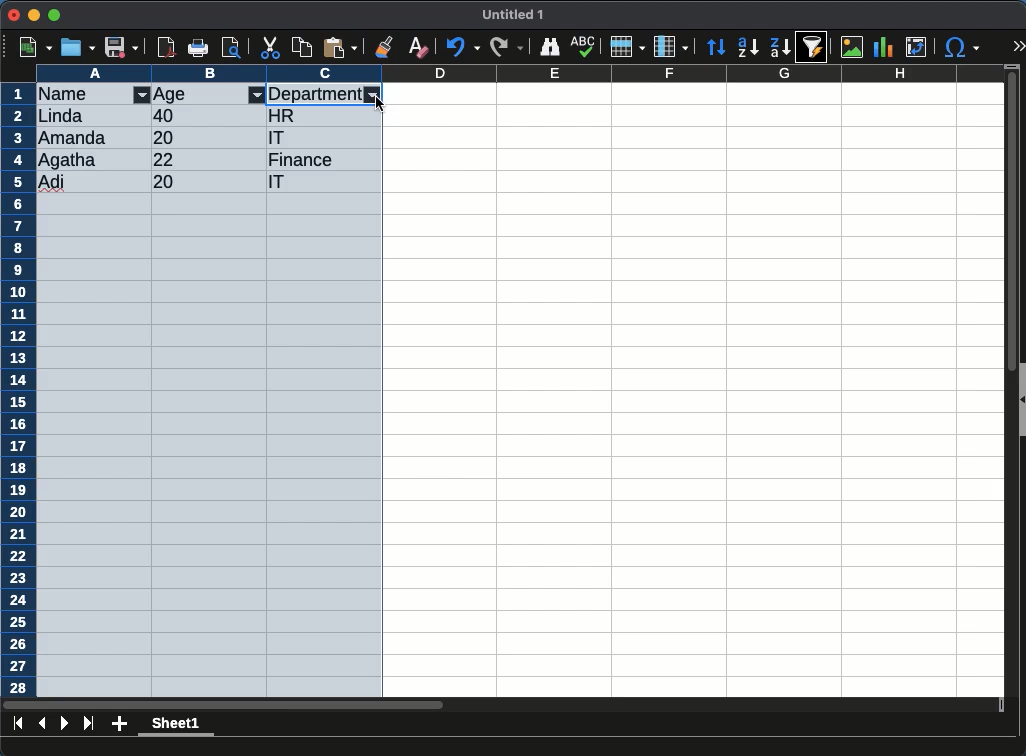 The height and width of the screenshot is (756, 1026). What do you see at coordinates (514, 15) in the screenshot?
I see `untitled 1` at bounding box center [514, 15].